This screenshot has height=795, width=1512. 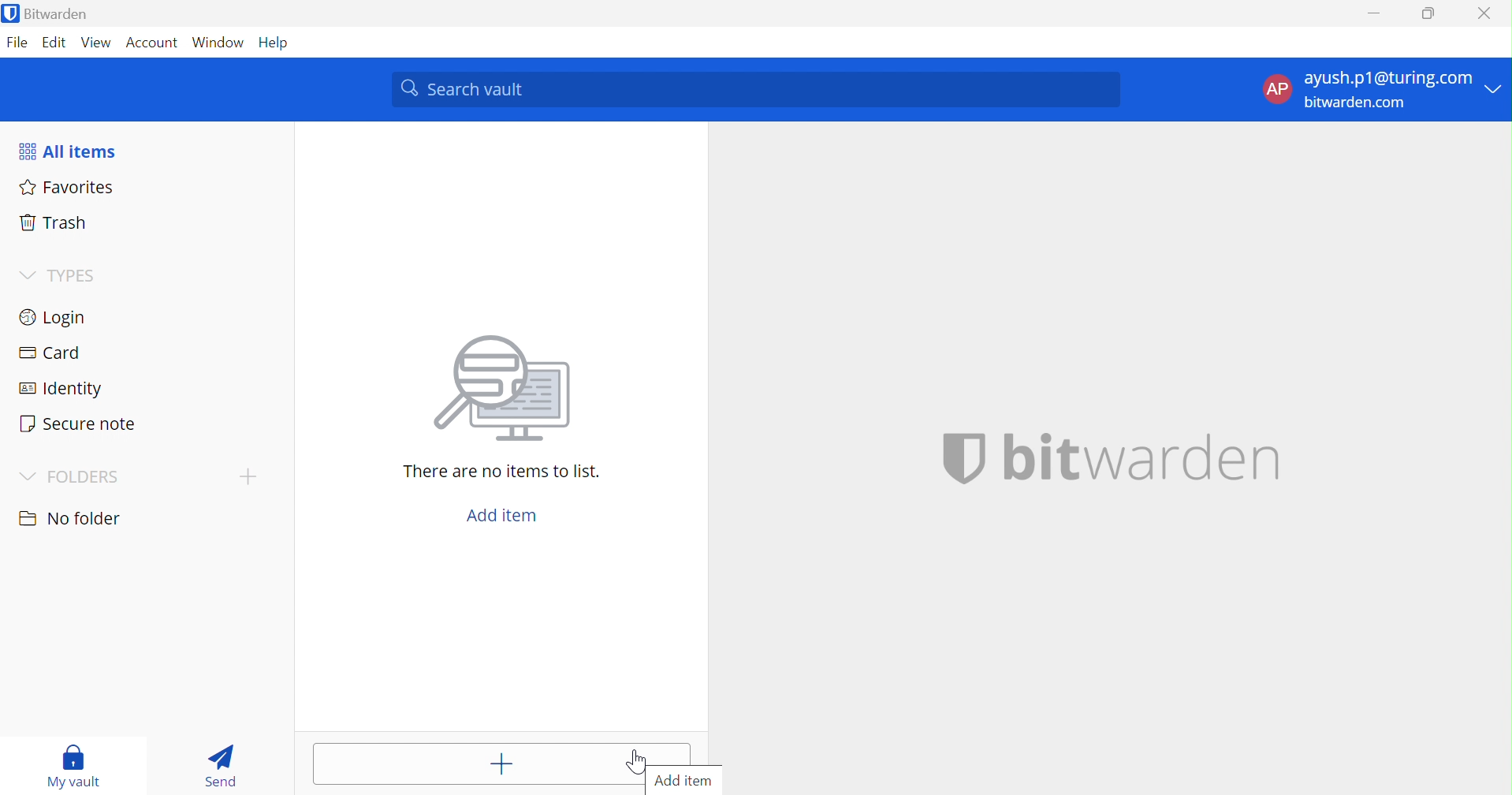 I want to click on Account, so click(x=153, y=43).